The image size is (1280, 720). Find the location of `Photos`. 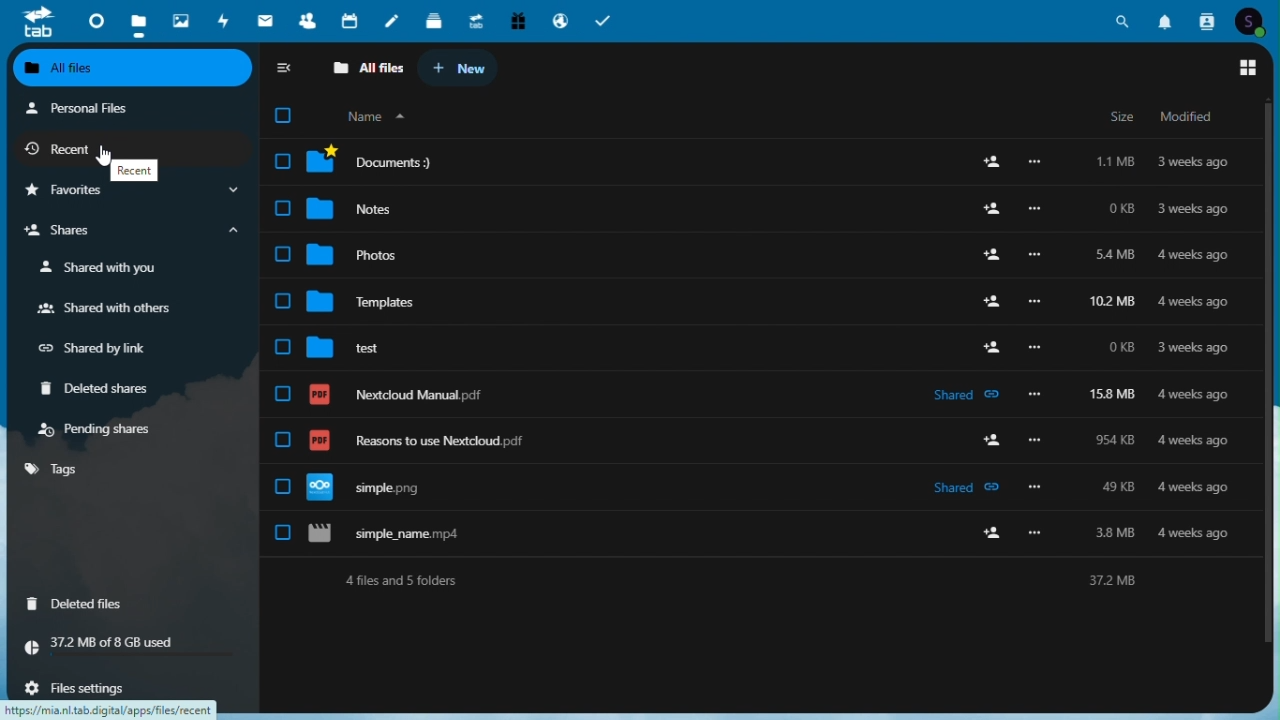

Photos is located at coordinates (751, 257).